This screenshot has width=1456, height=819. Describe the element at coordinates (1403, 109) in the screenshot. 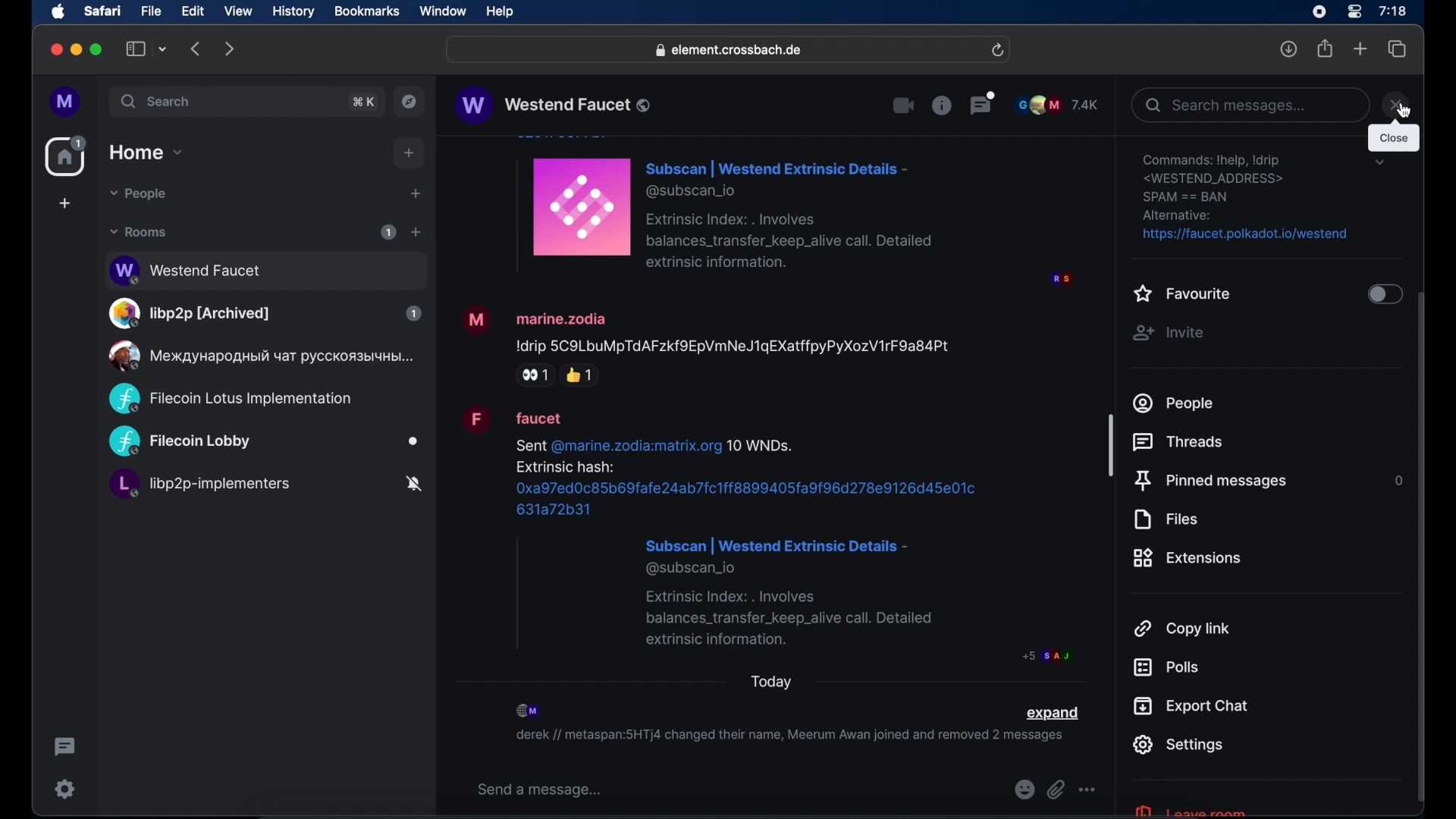

I see `cursor` at that location.